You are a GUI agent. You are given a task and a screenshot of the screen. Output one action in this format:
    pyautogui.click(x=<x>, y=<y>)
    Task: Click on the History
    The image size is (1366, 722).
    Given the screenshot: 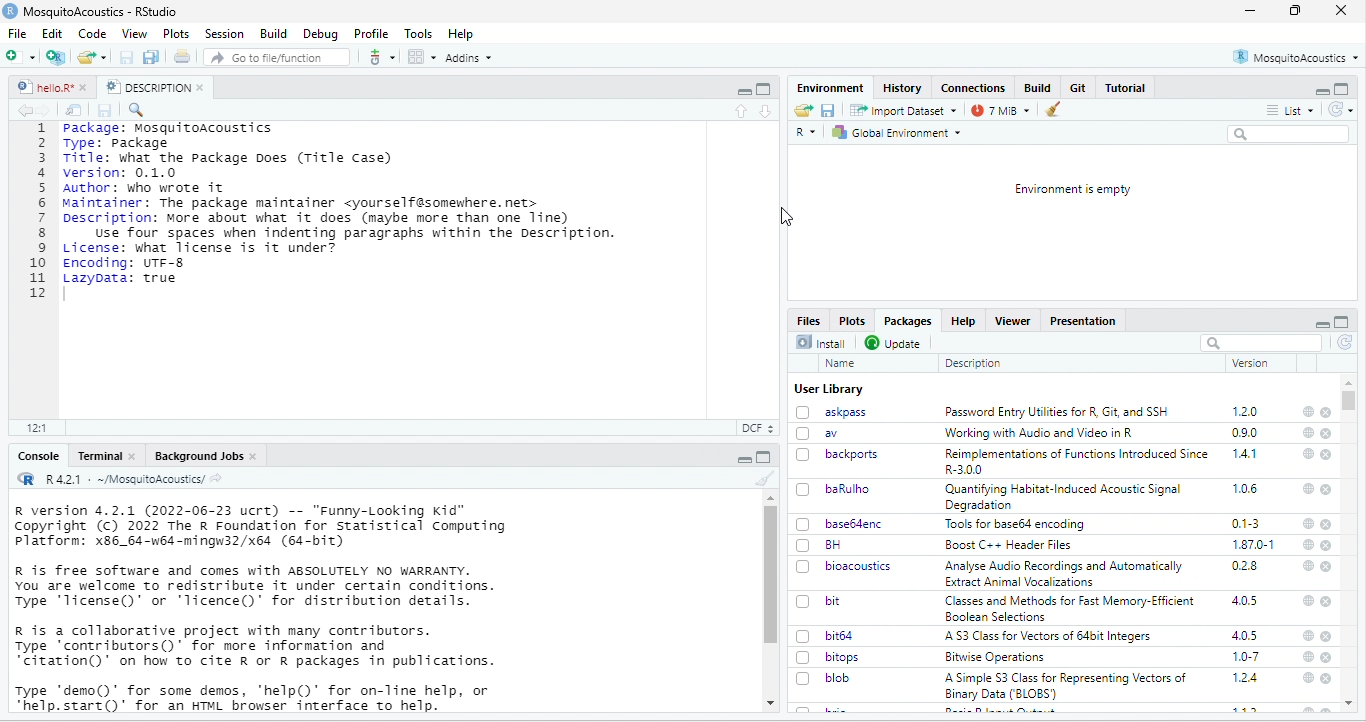 What is the action you would take?
    pyautogui.click(x=902, y=88)
    